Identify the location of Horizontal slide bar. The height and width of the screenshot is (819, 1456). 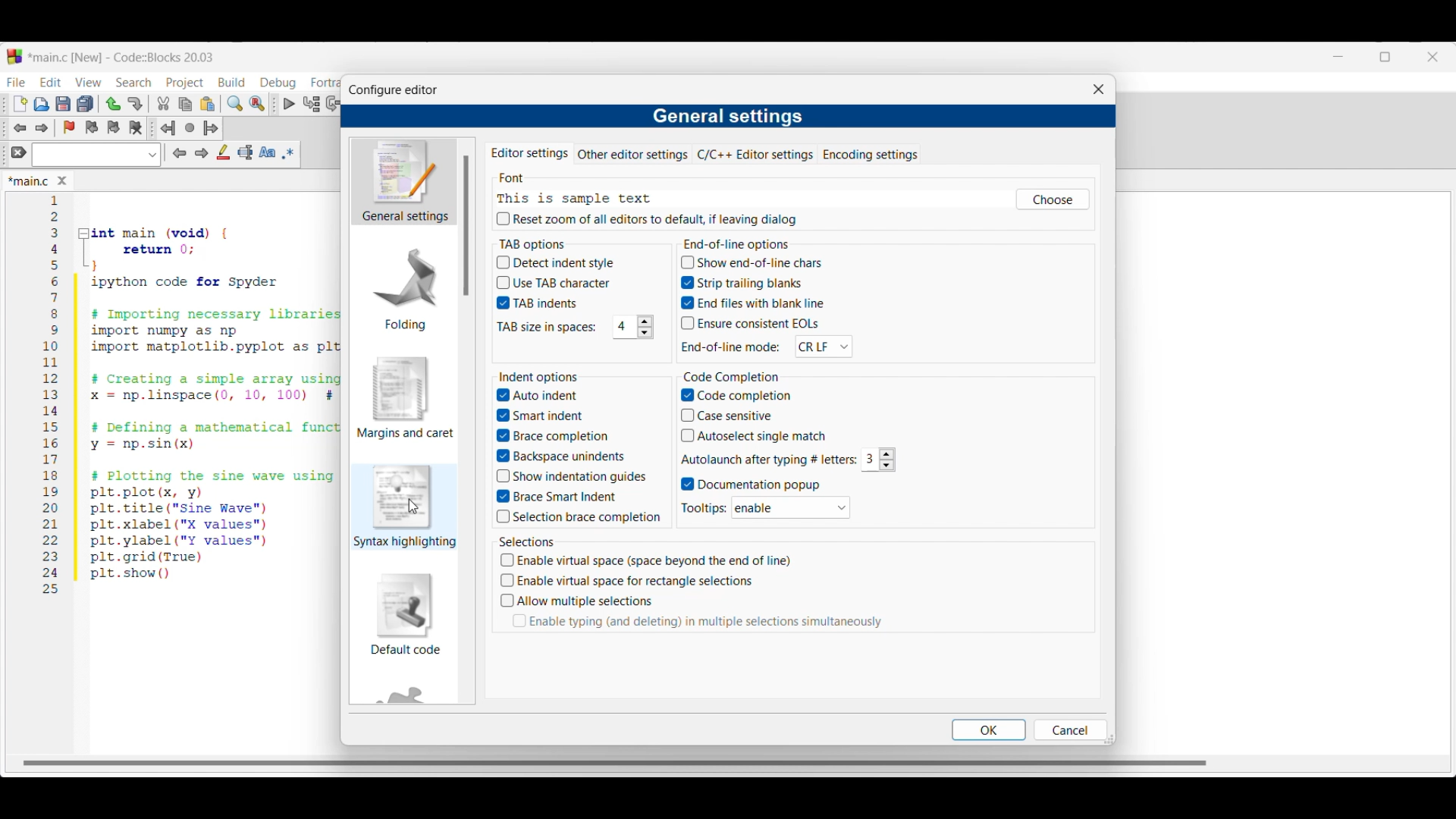
(614, 763).